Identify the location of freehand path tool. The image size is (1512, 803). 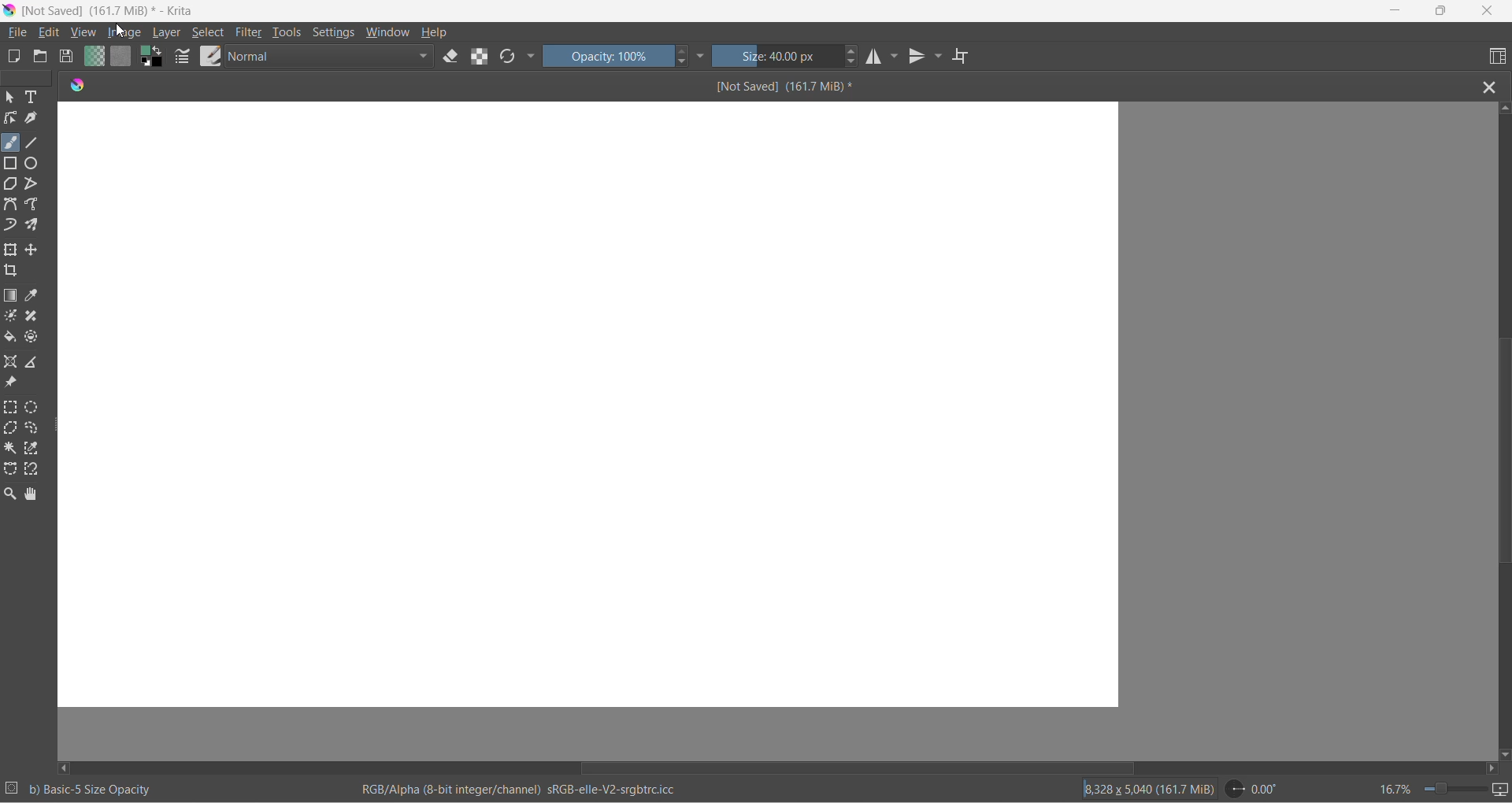
(35, 205).